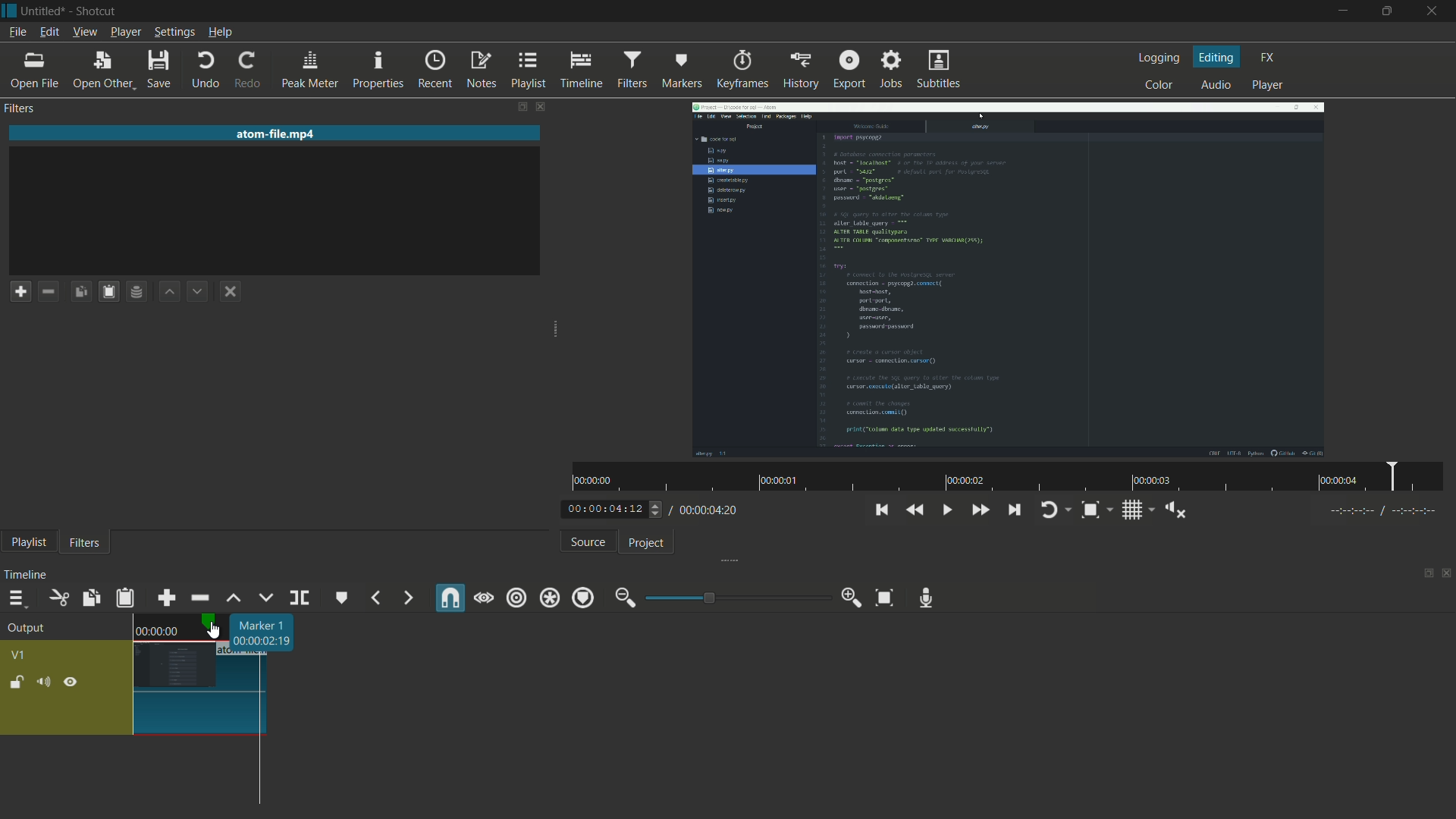 The width and height of the screenshot is (1456, 819). I want to click on player, so click(1269, 86).